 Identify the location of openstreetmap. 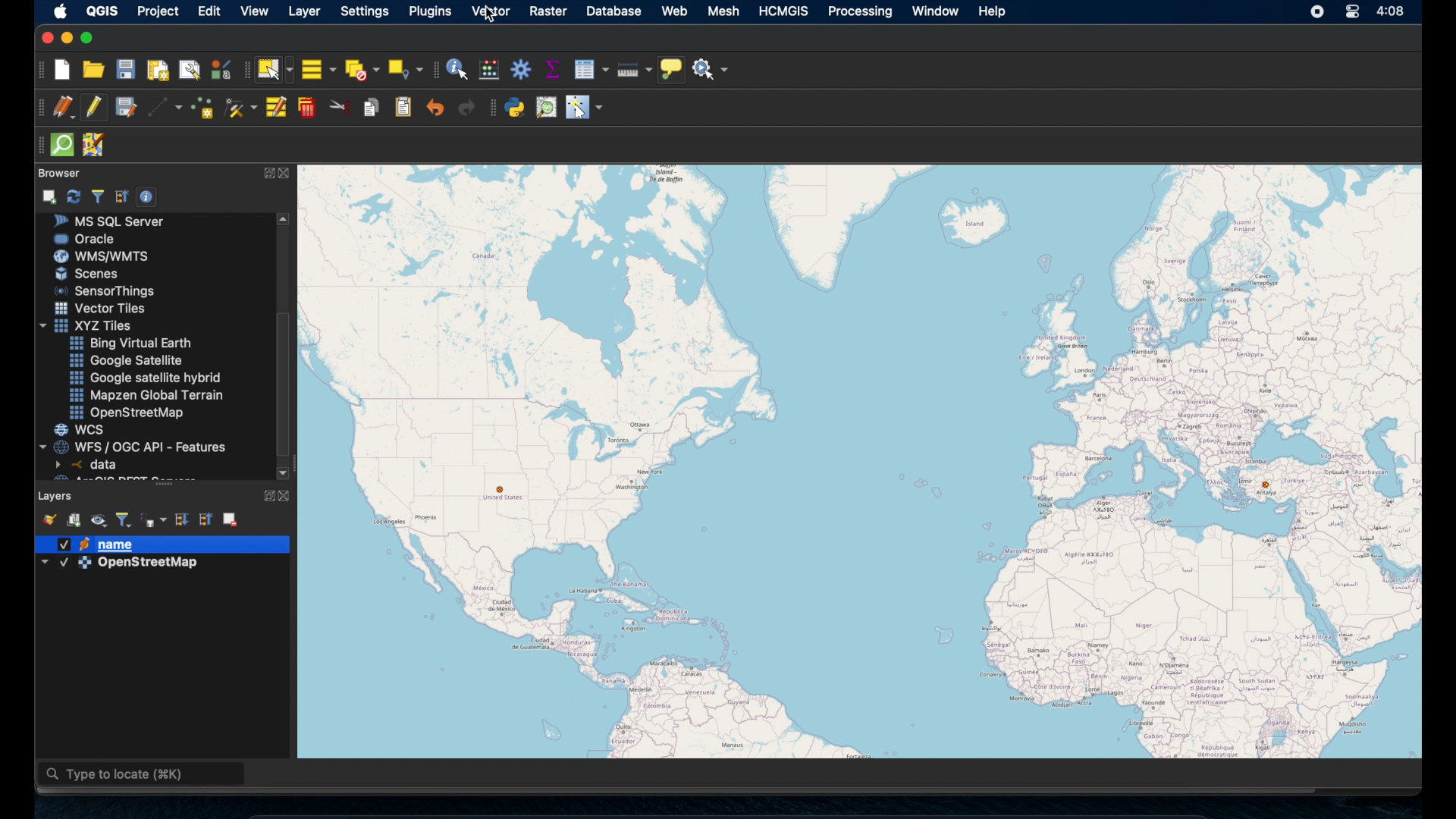
(868, 464).